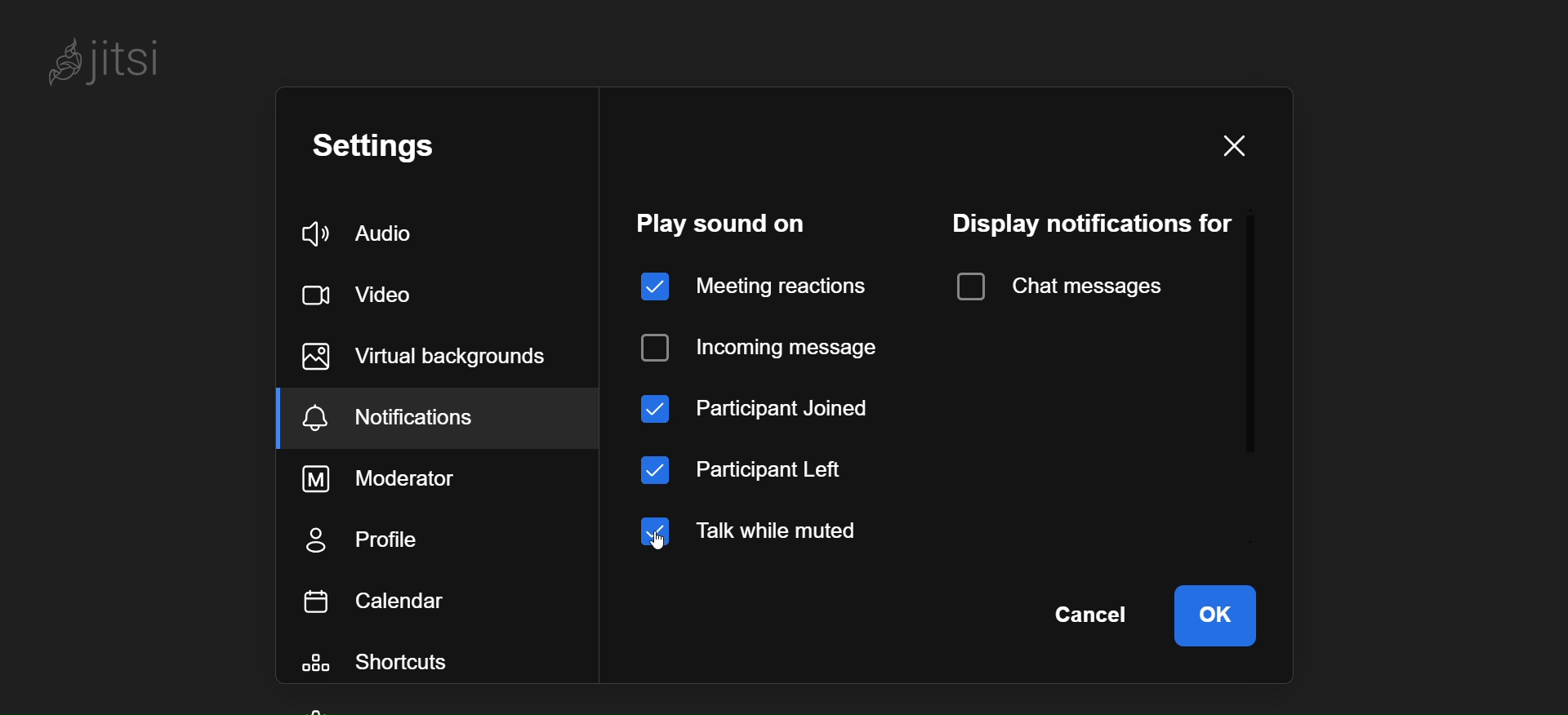 The width and height of the screenshot is (1568, 715). I want to click on chat message, so click(1057, 287).